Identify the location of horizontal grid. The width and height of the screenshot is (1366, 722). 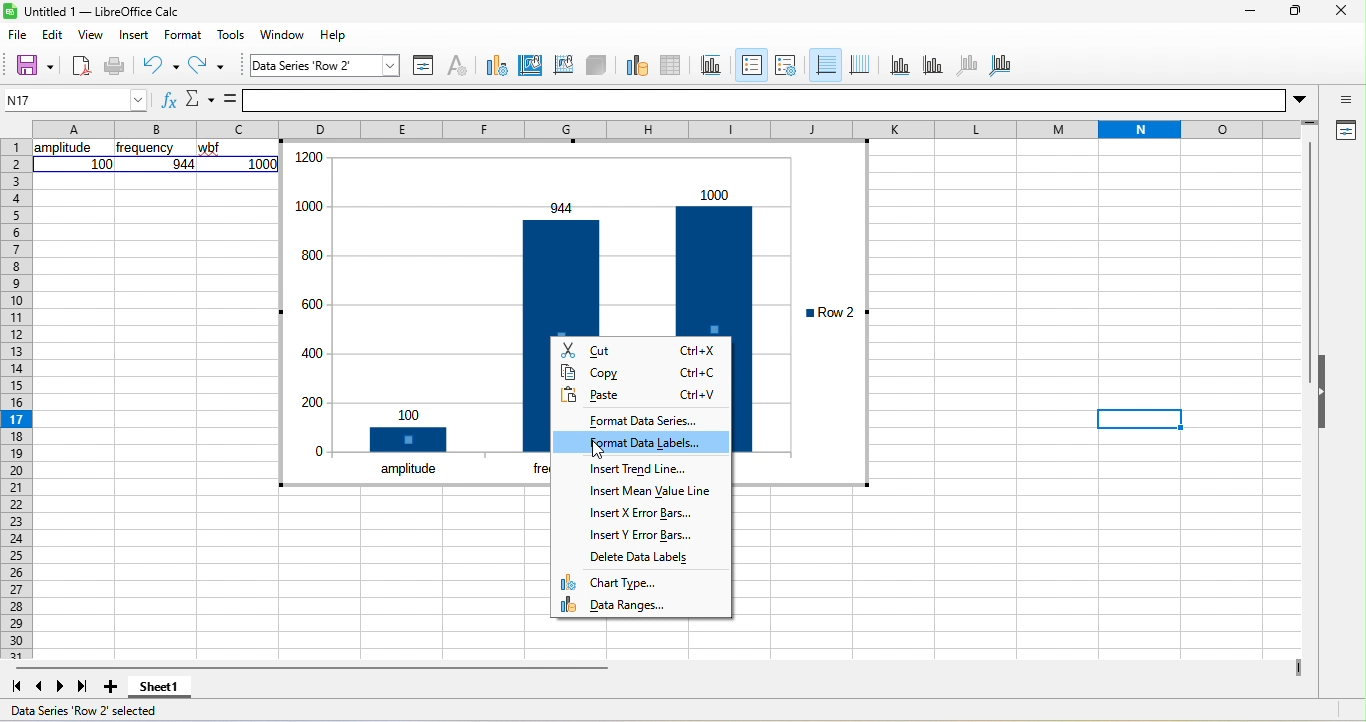
(825, 65).